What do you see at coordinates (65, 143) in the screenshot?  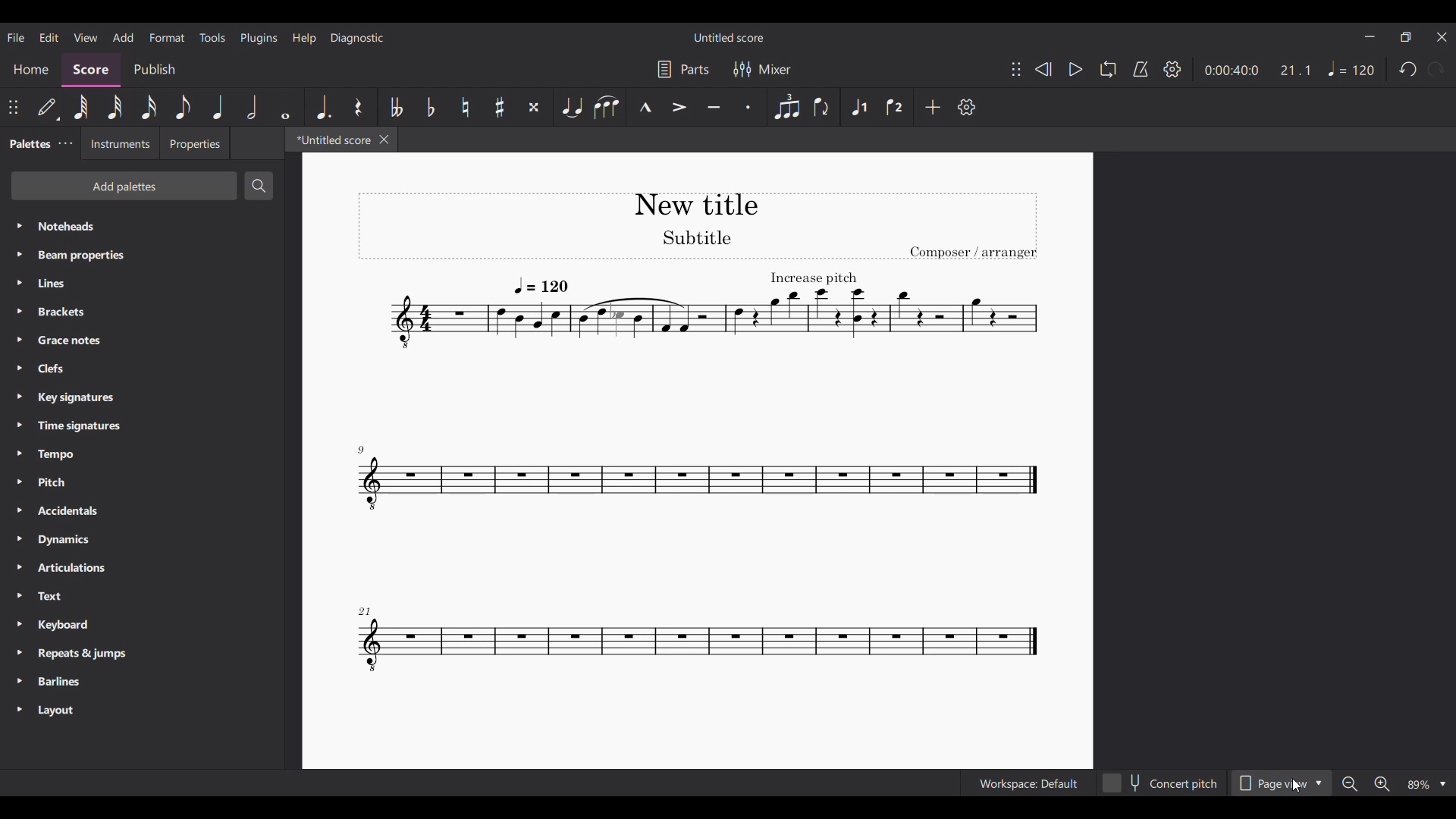 I see `Palette settings` at bounding box center [65, 143].